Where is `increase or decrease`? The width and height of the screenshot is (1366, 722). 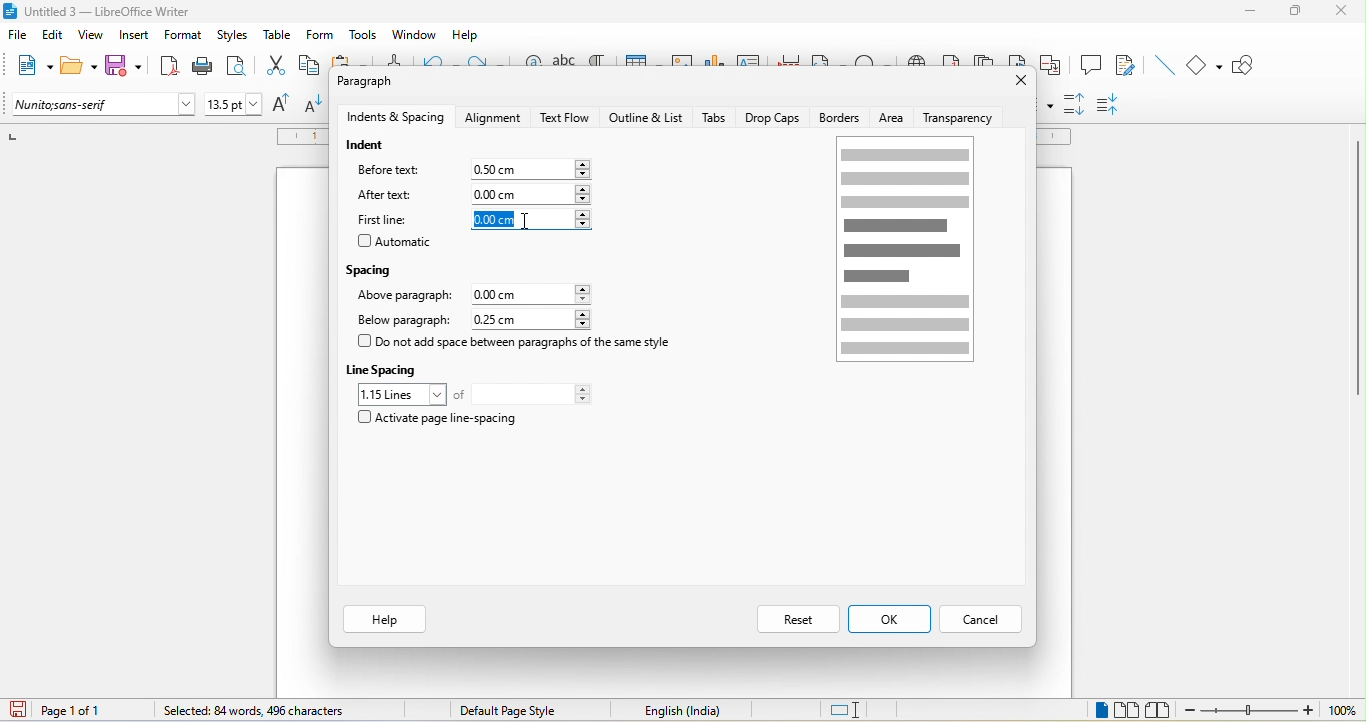 increase or decrease is located at coordinates (583, 195).